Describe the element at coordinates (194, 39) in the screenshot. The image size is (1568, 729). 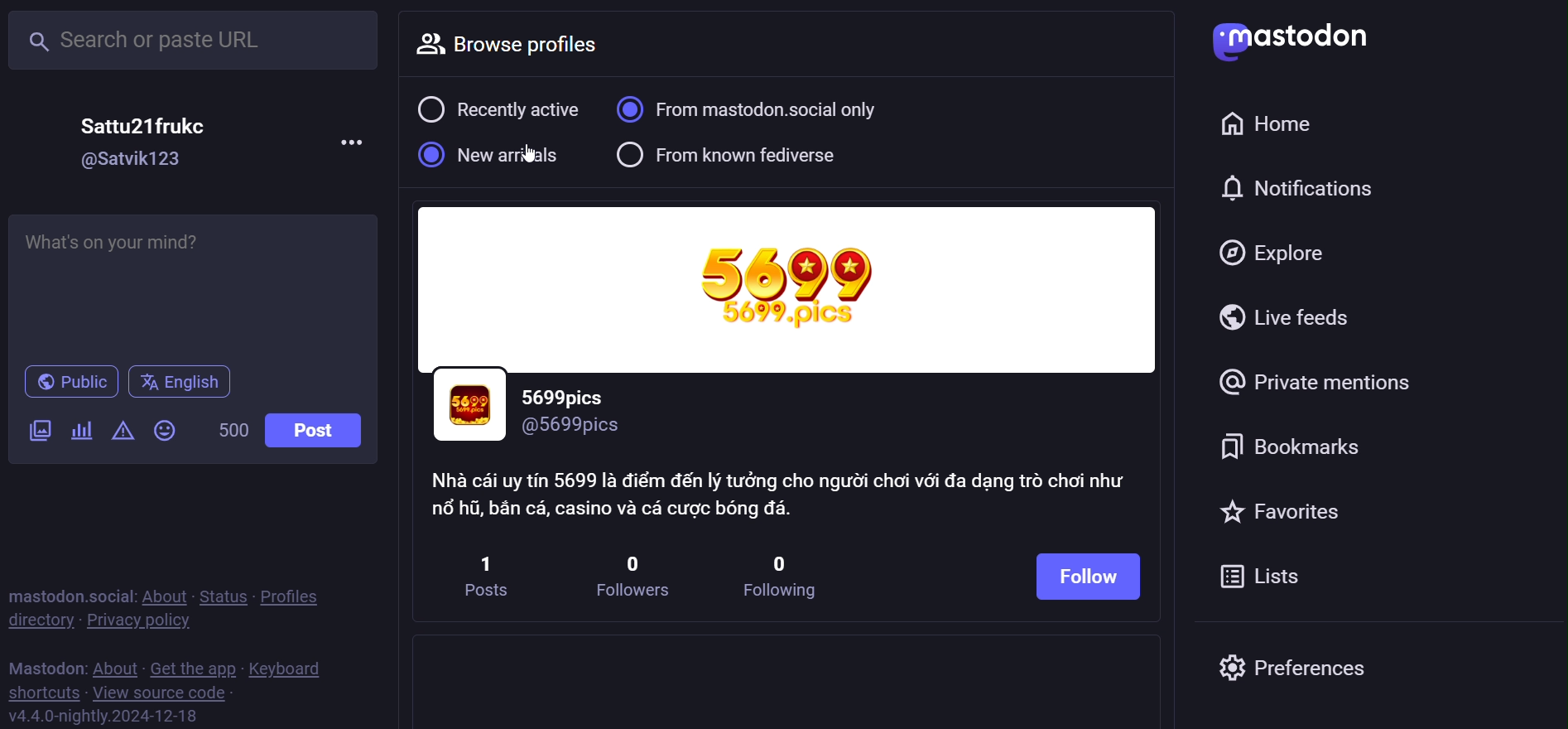
I see `search or paste URL` at that location.